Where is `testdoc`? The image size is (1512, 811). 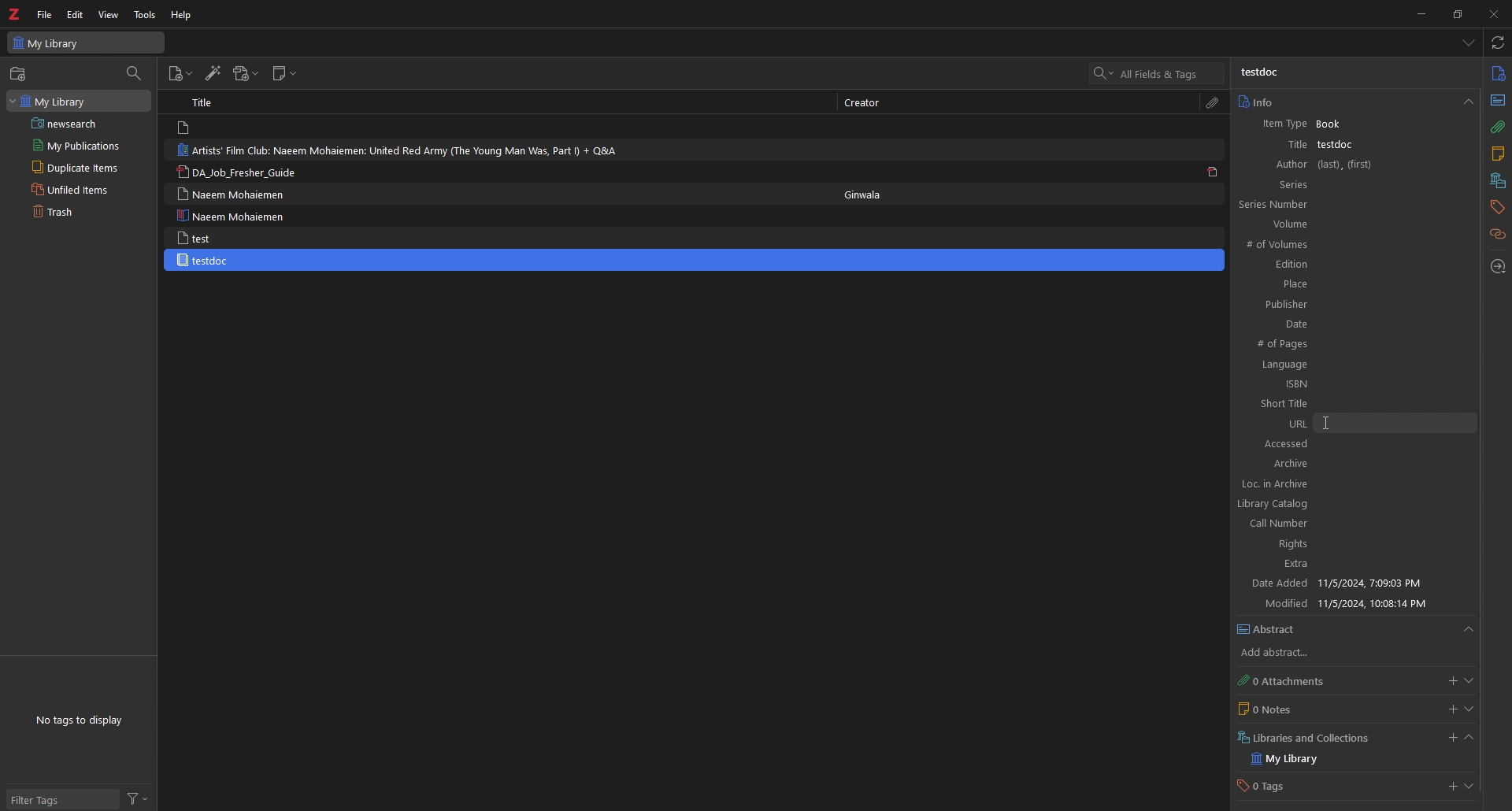 testdoc is located at coordinates (1268, 74).